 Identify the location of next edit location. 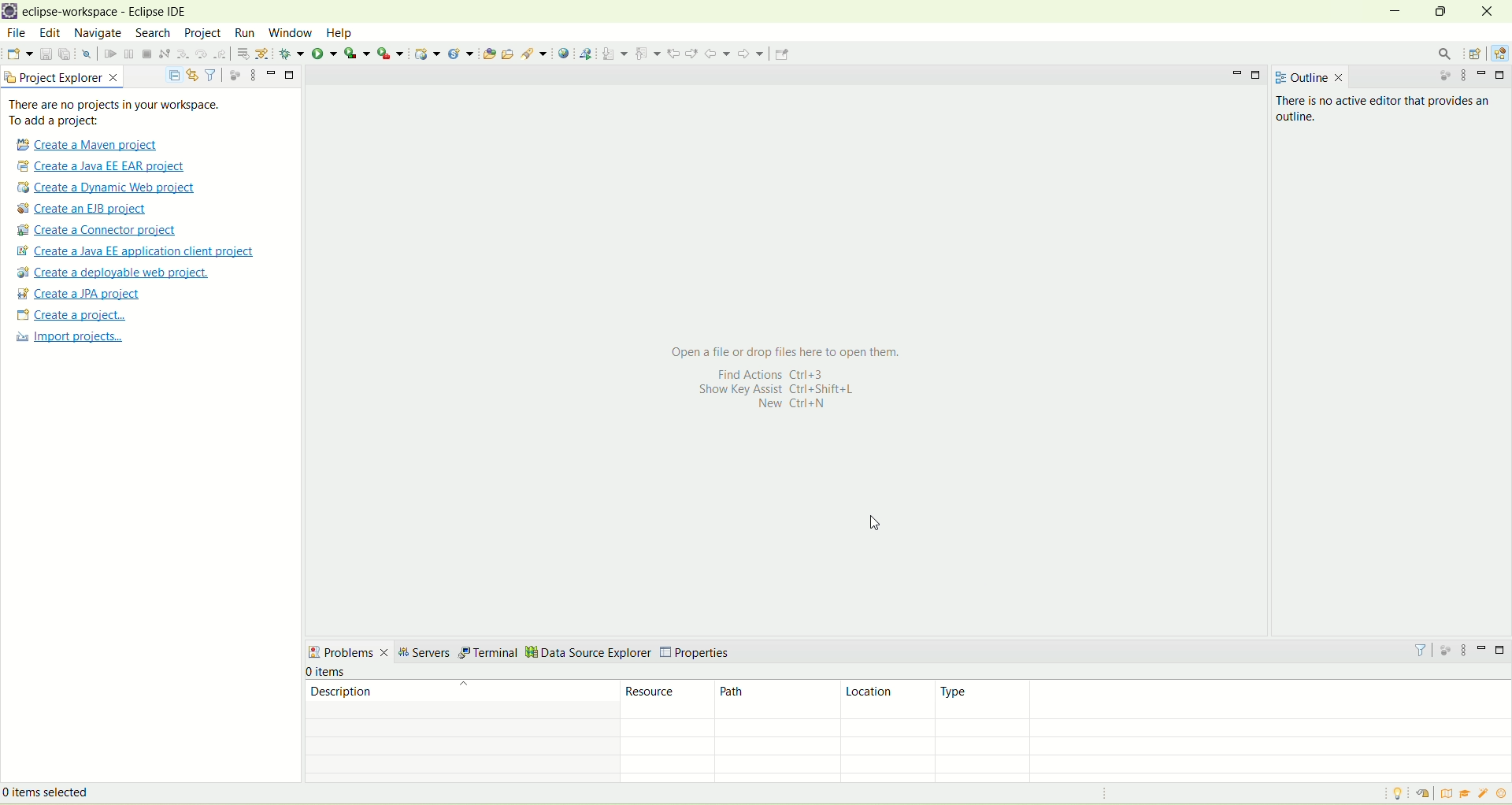
(754, 52).